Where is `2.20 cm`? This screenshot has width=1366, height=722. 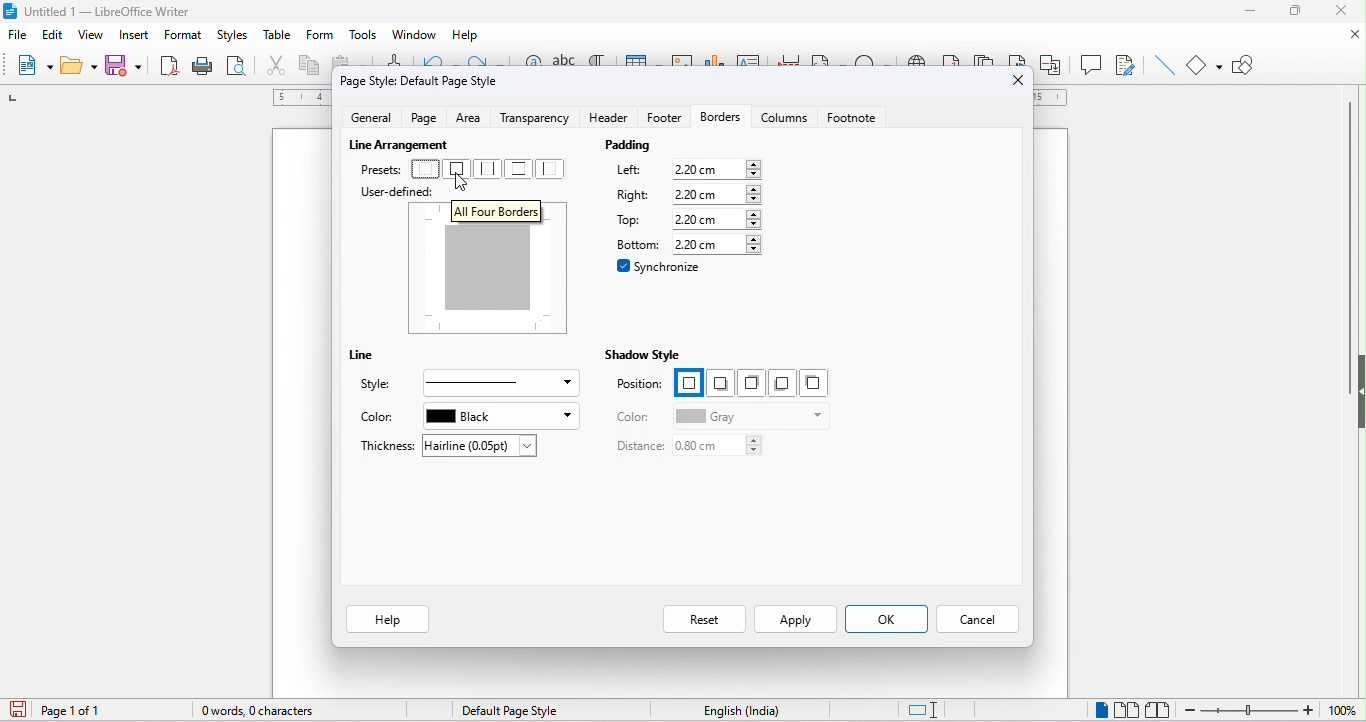 2.20 cm is located at coordinates (717, 219).